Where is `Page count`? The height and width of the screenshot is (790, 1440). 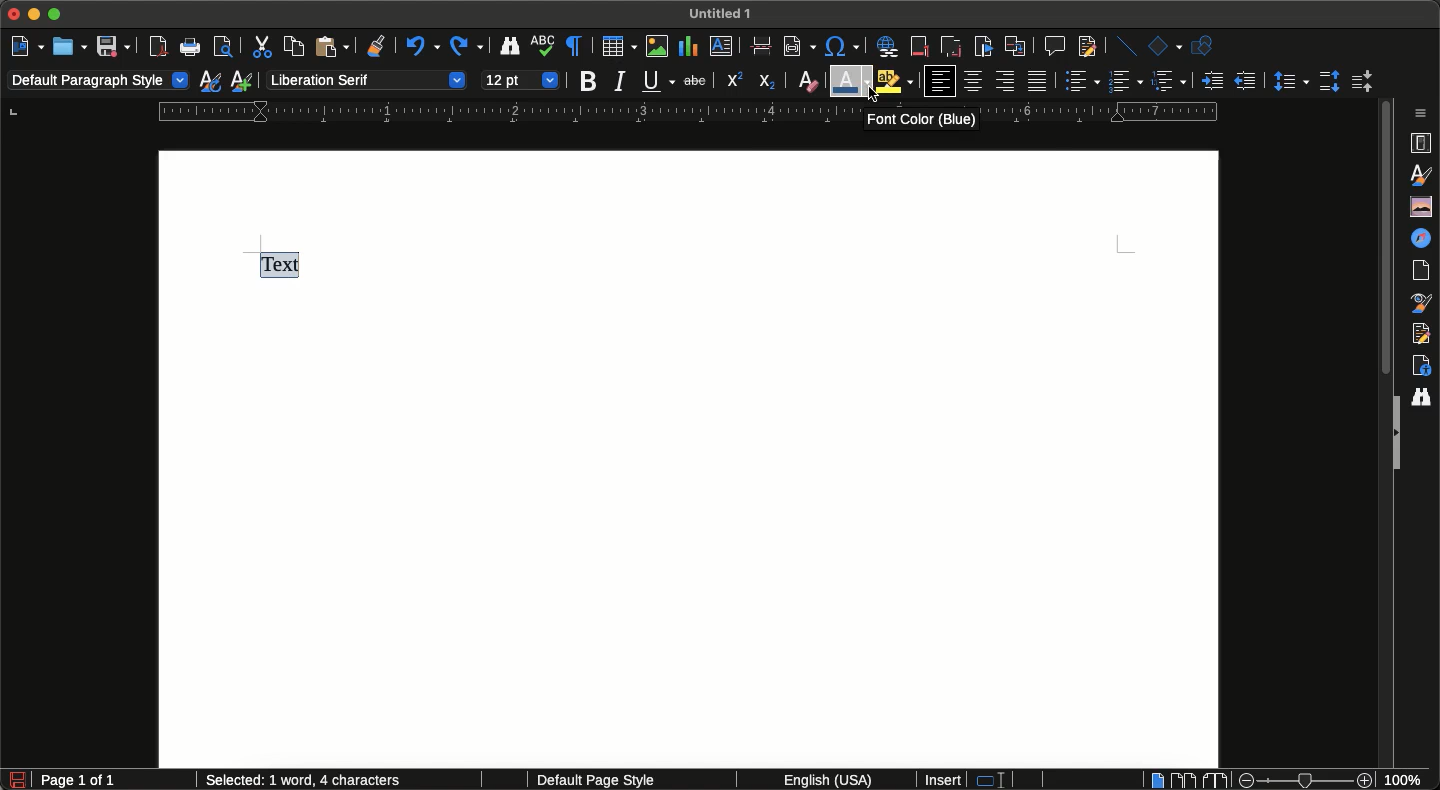
Page count is located at coordinates (114, 781).